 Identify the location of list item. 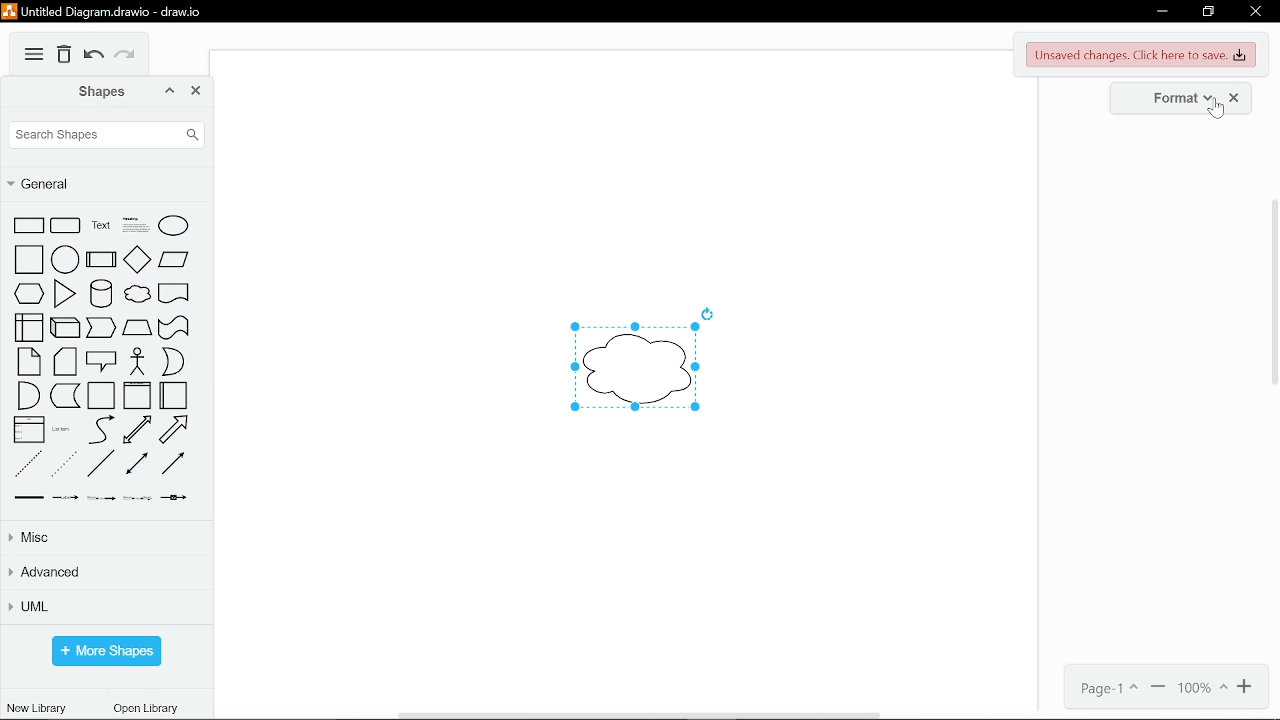
(64, 430).